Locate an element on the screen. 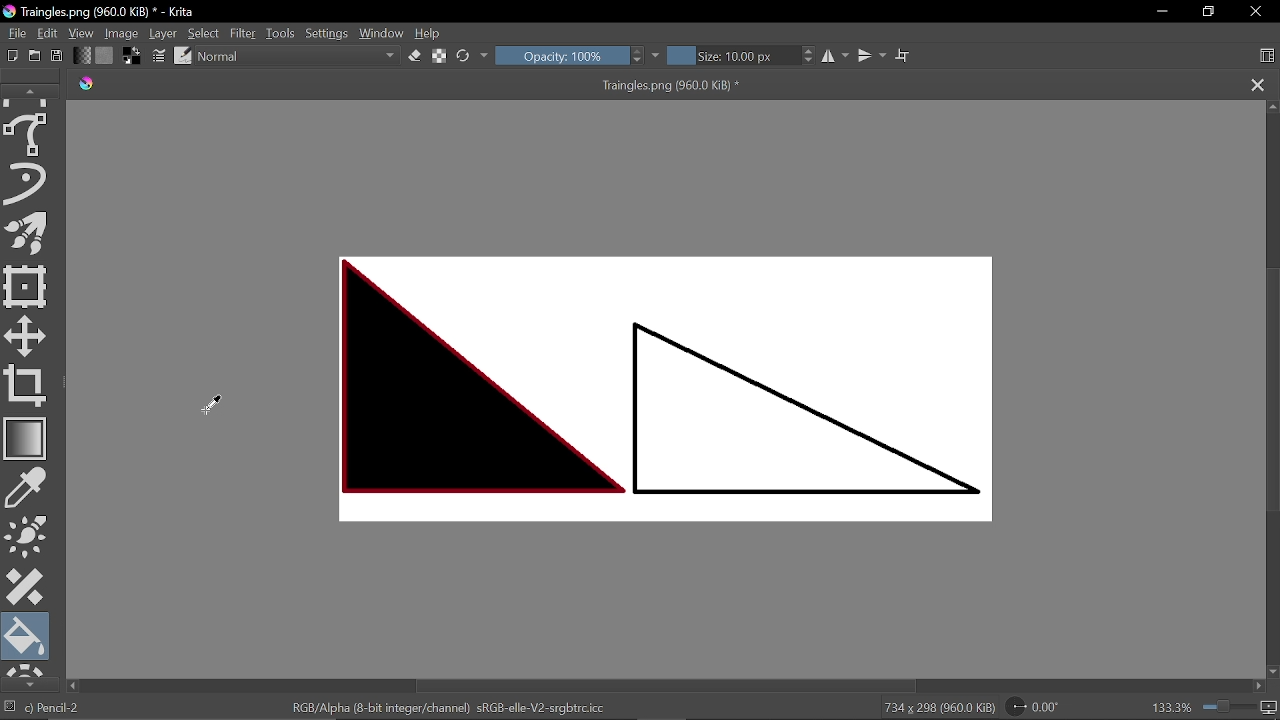 The width and height of the screenshot is (1280, 720). RGB/Alpha (8-bit integer/channel) sRGB-elle-V2-srgbtrc.icc is located at coordinates (444, 709).